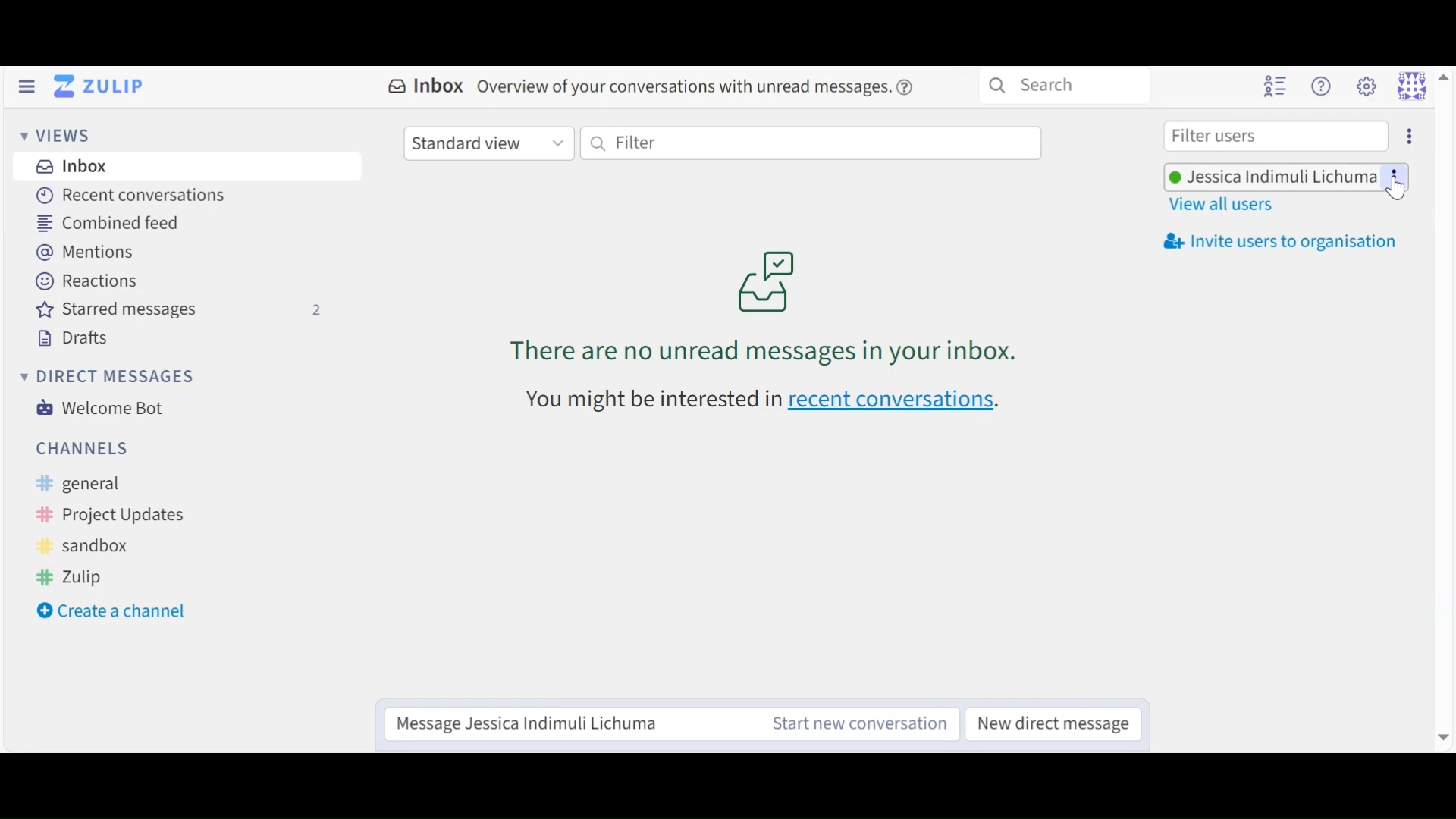 The width and height of the screenshot is (1456, 819). What do you see at coordinates (118, 613) in the screenshot?
I see `Create a new Channel` at bounding box center [118, 613].